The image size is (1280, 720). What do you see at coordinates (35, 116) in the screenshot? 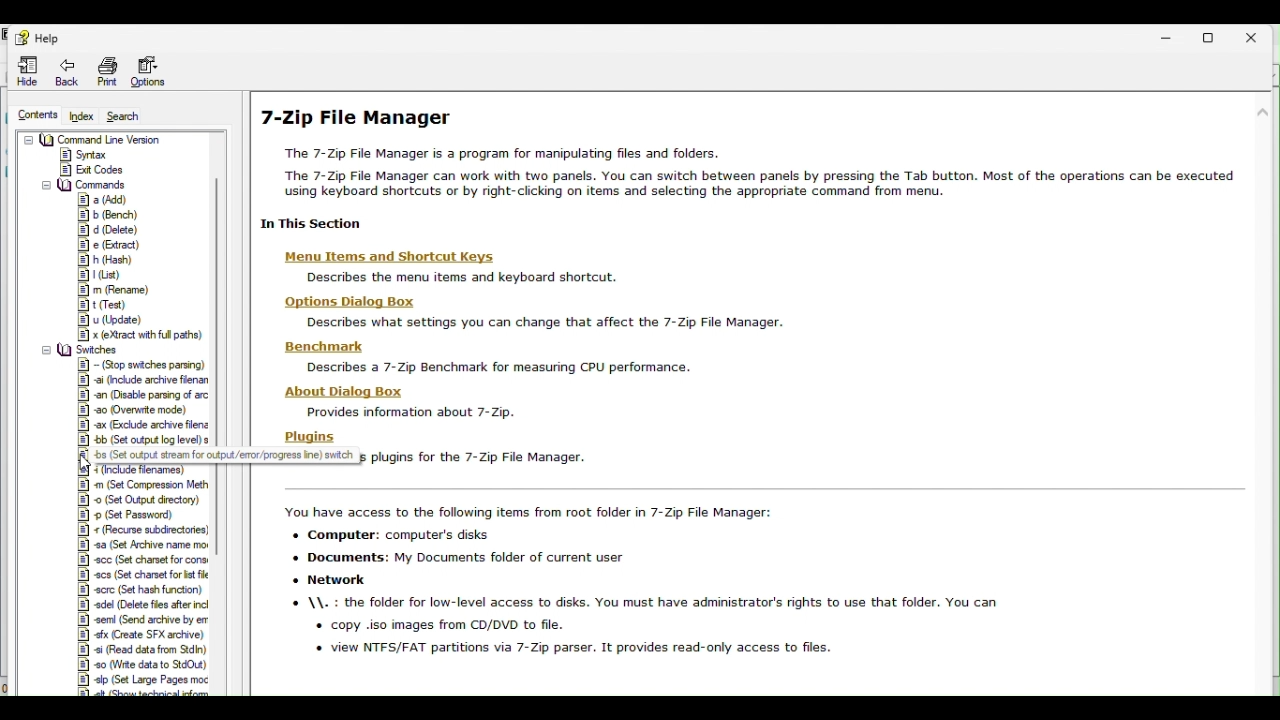
I see `contents` at bounding box center [35, 116].